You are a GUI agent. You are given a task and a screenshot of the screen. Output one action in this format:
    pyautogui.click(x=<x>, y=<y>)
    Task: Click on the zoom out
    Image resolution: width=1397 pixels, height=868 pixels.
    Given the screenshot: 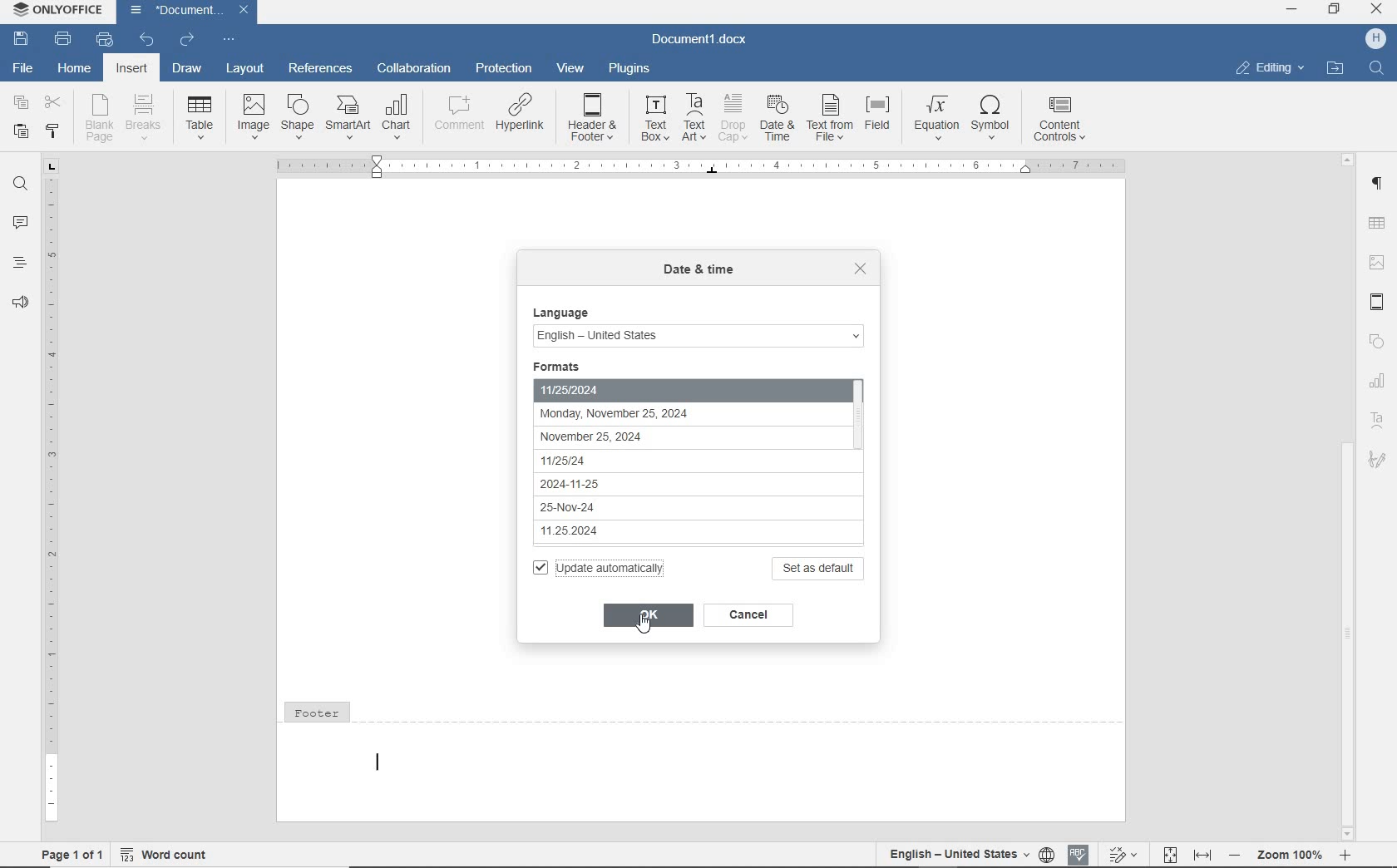 What is the action you would take?
    pyautogui.click(x=1236, y=855)
    